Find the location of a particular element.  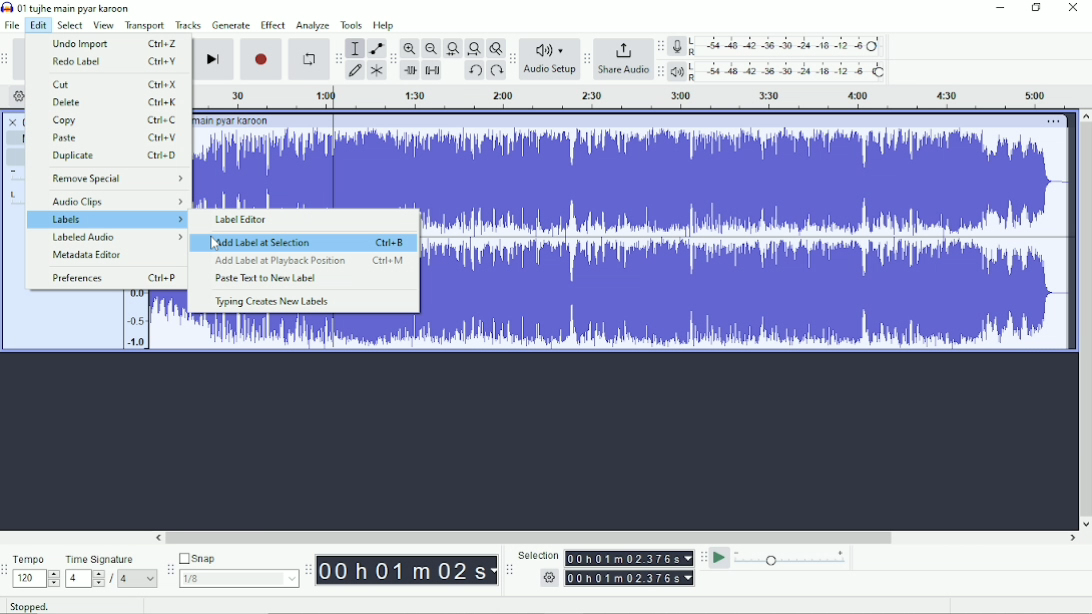

Paste Text to New Label is located at coordinates (264, 279).